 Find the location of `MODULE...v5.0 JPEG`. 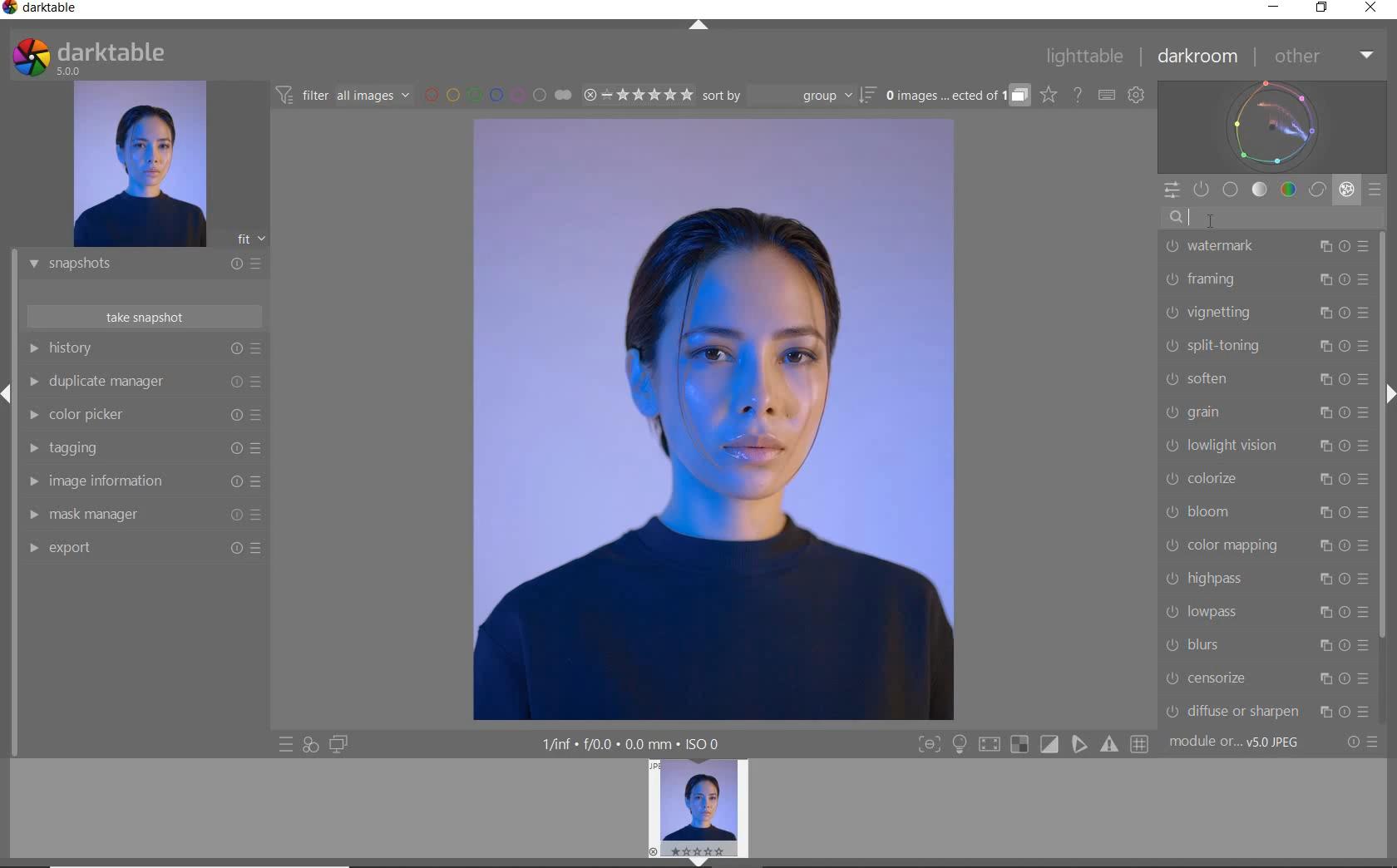

MODULE...v5.0 JPEG is located at coordinates (1246, 742).